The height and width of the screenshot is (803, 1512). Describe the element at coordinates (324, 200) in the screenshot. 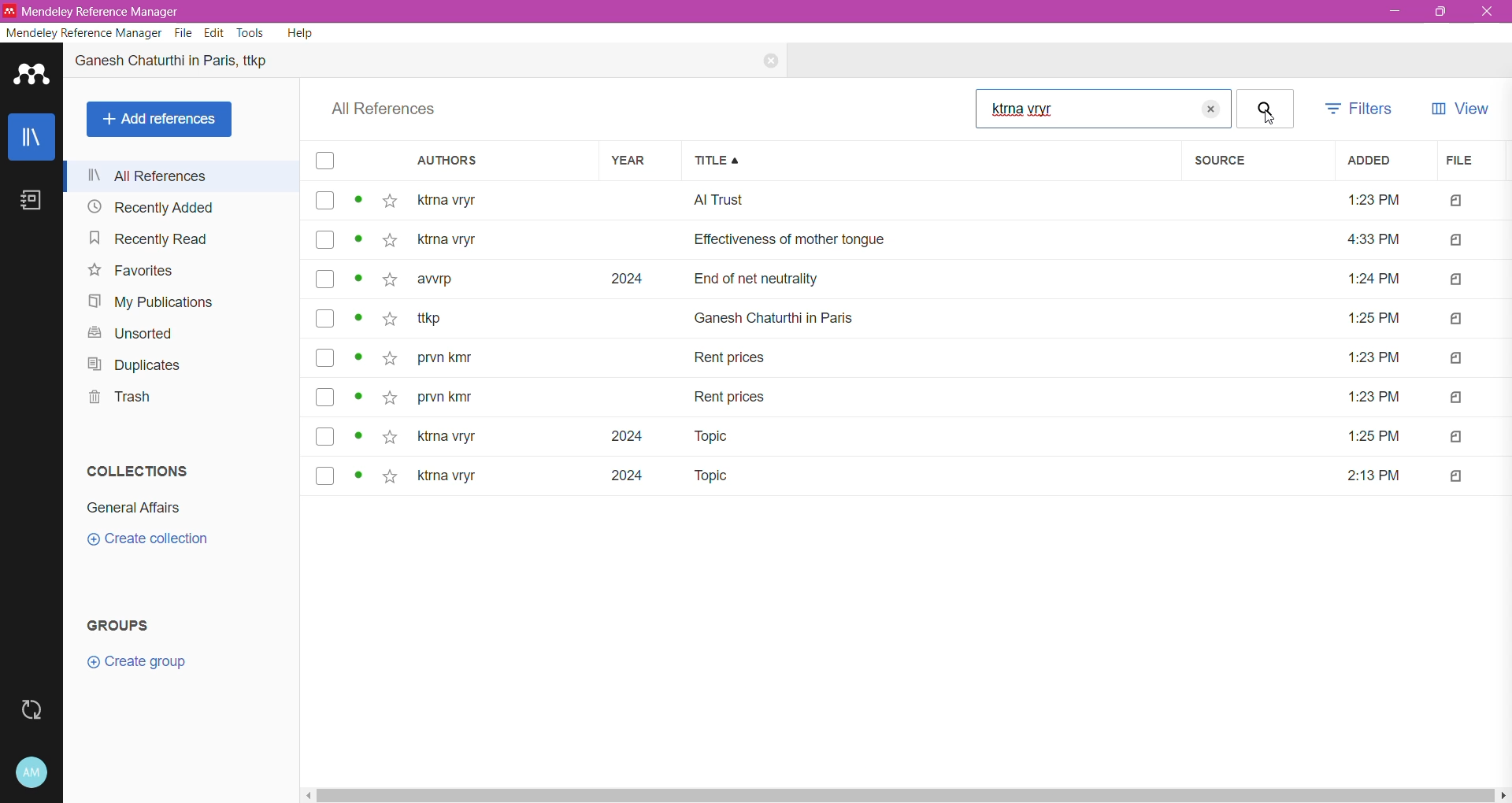

I see `select reference ` at that location.